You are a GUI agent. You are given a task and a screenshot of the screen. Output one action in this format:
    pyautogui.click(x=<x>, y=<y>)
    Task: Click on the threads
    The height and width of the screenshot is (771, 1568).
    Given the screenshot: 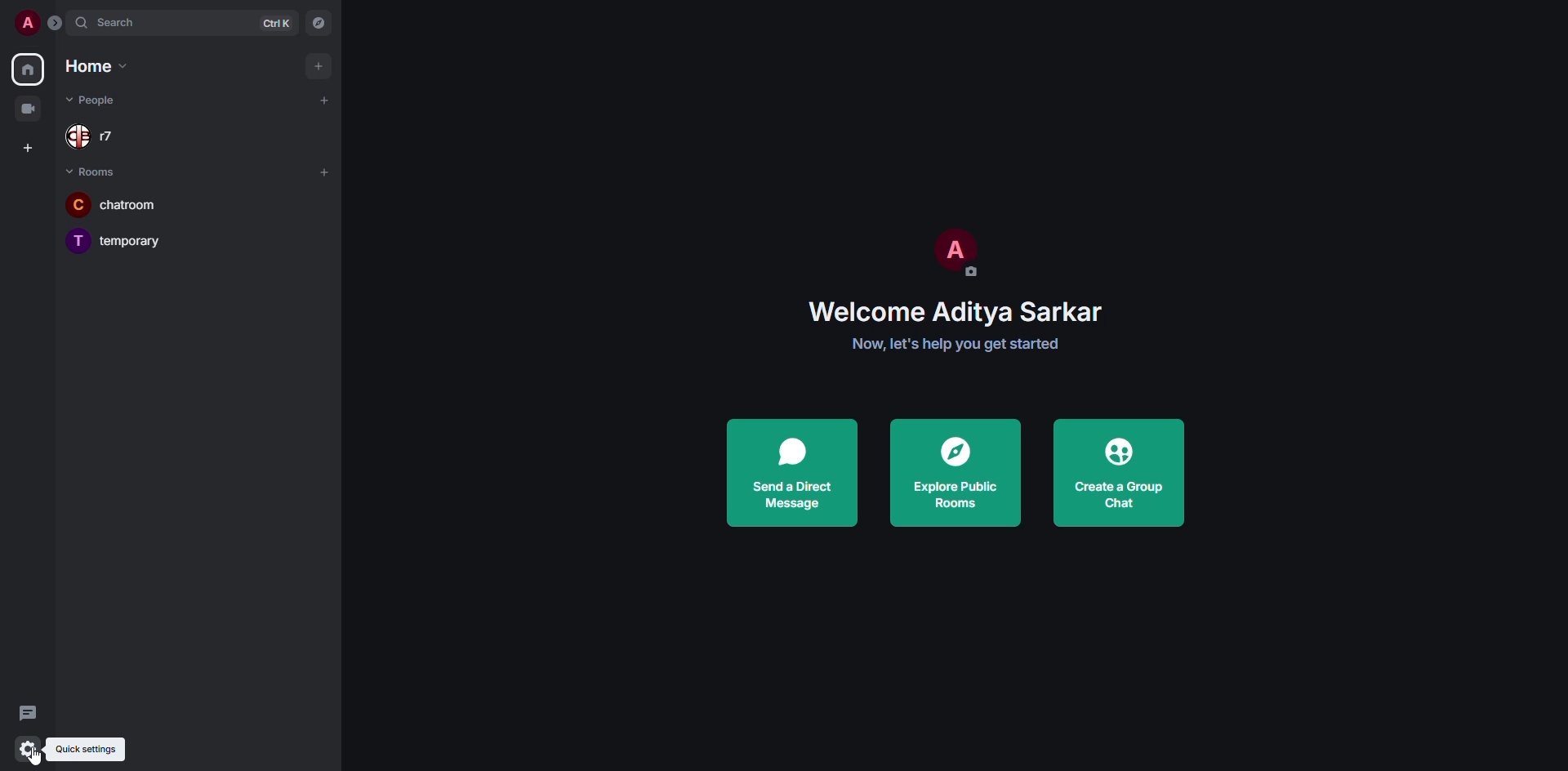 What is the action you would take?
    pyautogui.click(x=28, y=711)
    